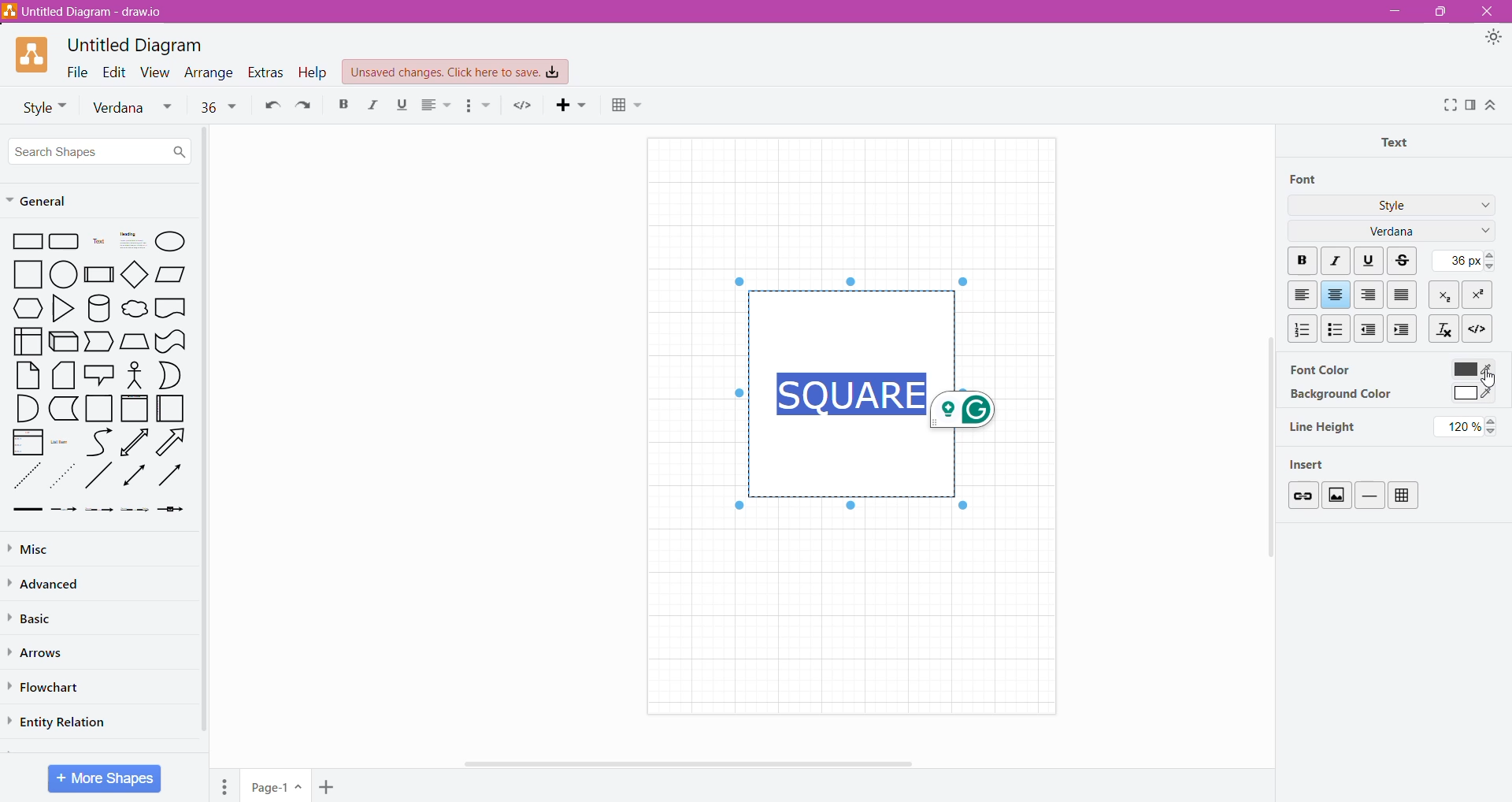 The image size is (1512, 802). What do you see at coordinates (172, 409) in the screenshot?
I see `Folded Paper ` at bounding box center [172, 409].